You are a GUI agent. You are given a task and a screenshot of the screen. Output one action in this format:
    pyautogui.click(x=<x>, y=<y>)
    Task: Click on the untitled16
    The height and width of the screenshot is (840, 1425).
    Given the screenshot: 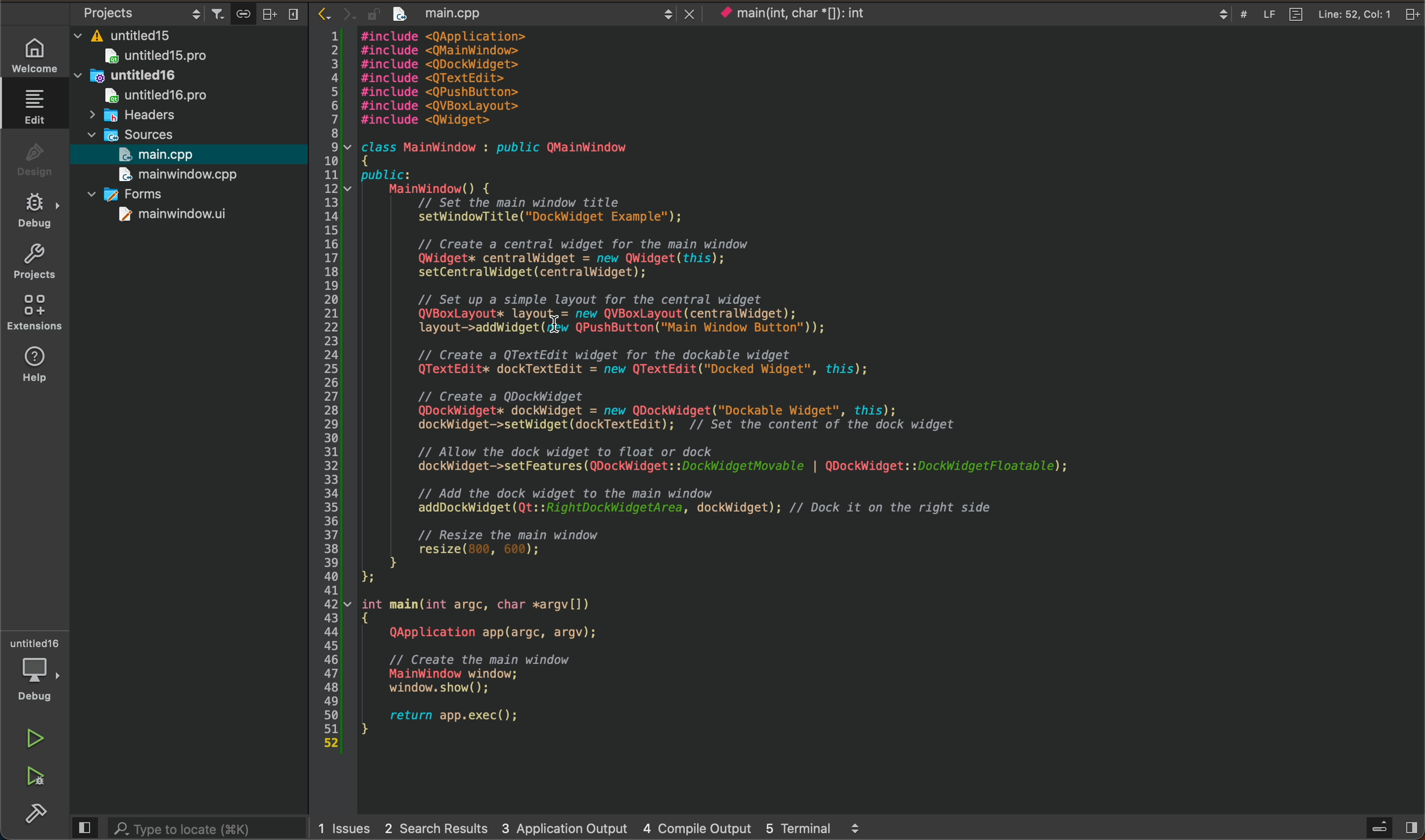 What is the action you would take?
    pyautogui.click(x=130, y=75)
    